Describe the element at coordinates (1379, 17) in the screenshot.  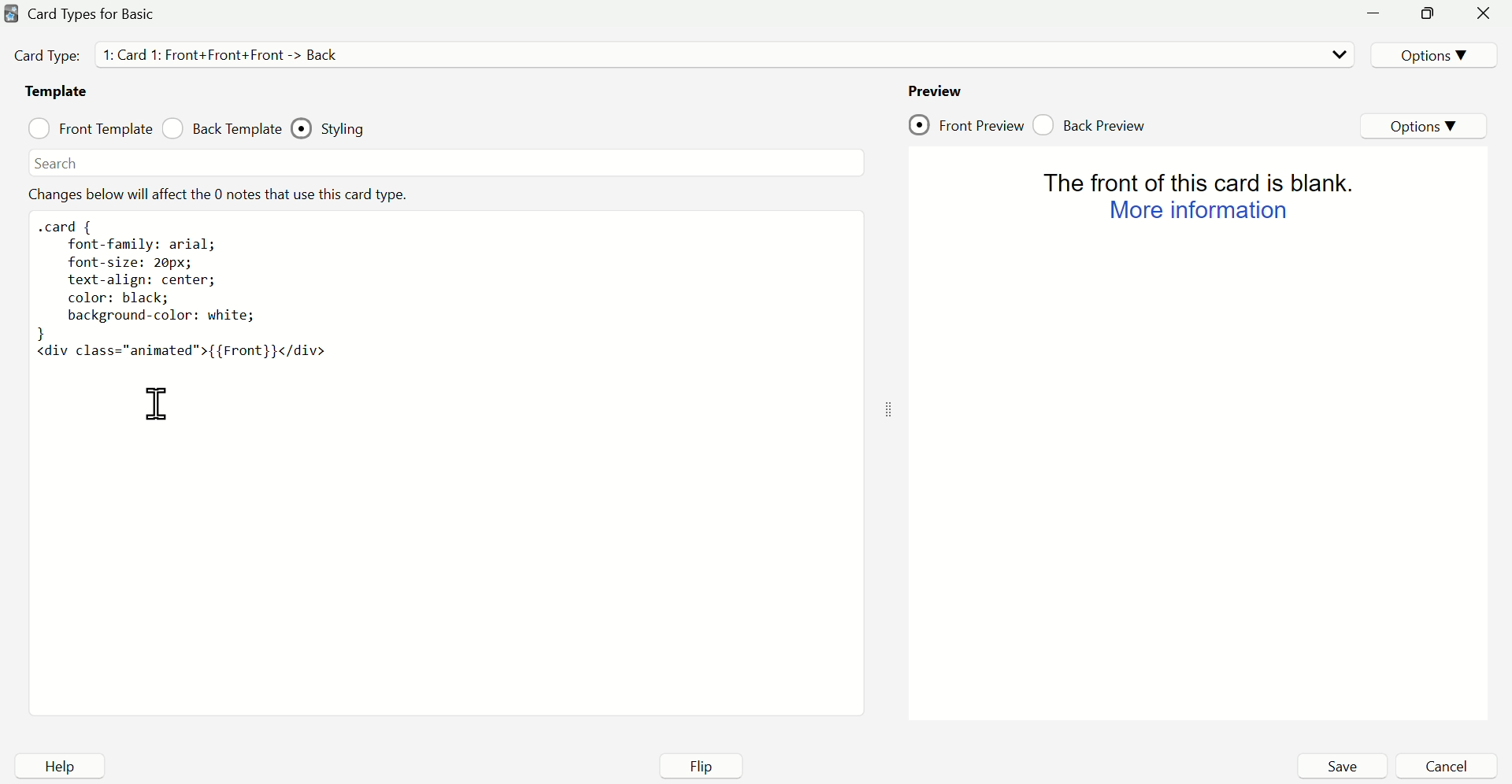
I see `minimise` at that location.